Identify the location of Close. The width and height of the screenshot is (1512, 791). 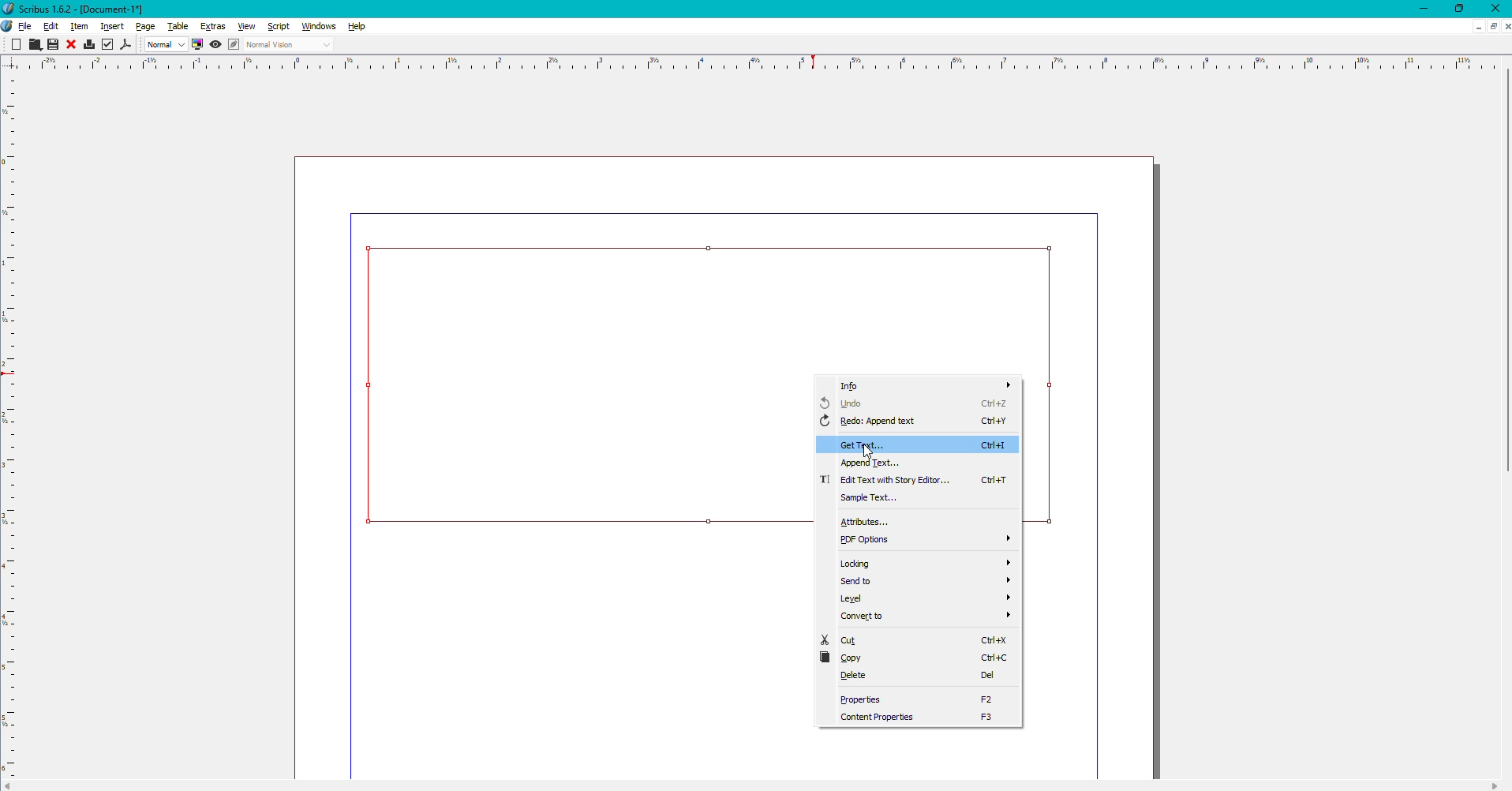
(1497, 9).